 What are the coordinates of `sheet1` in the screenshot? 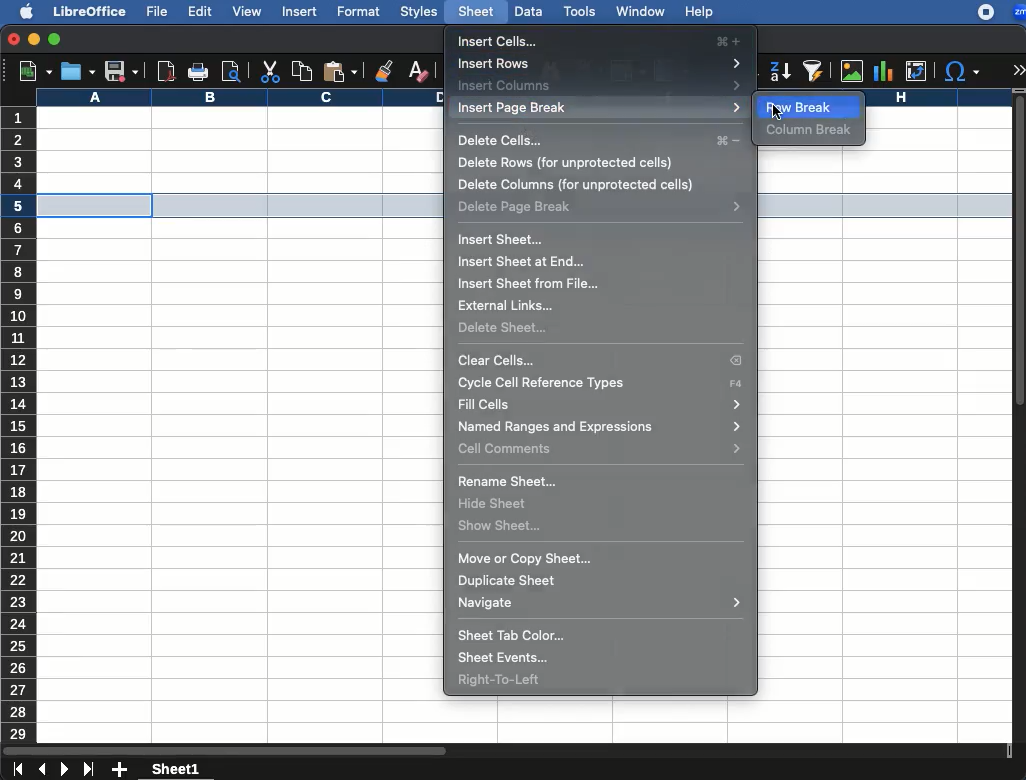 It's located at (175, 771).